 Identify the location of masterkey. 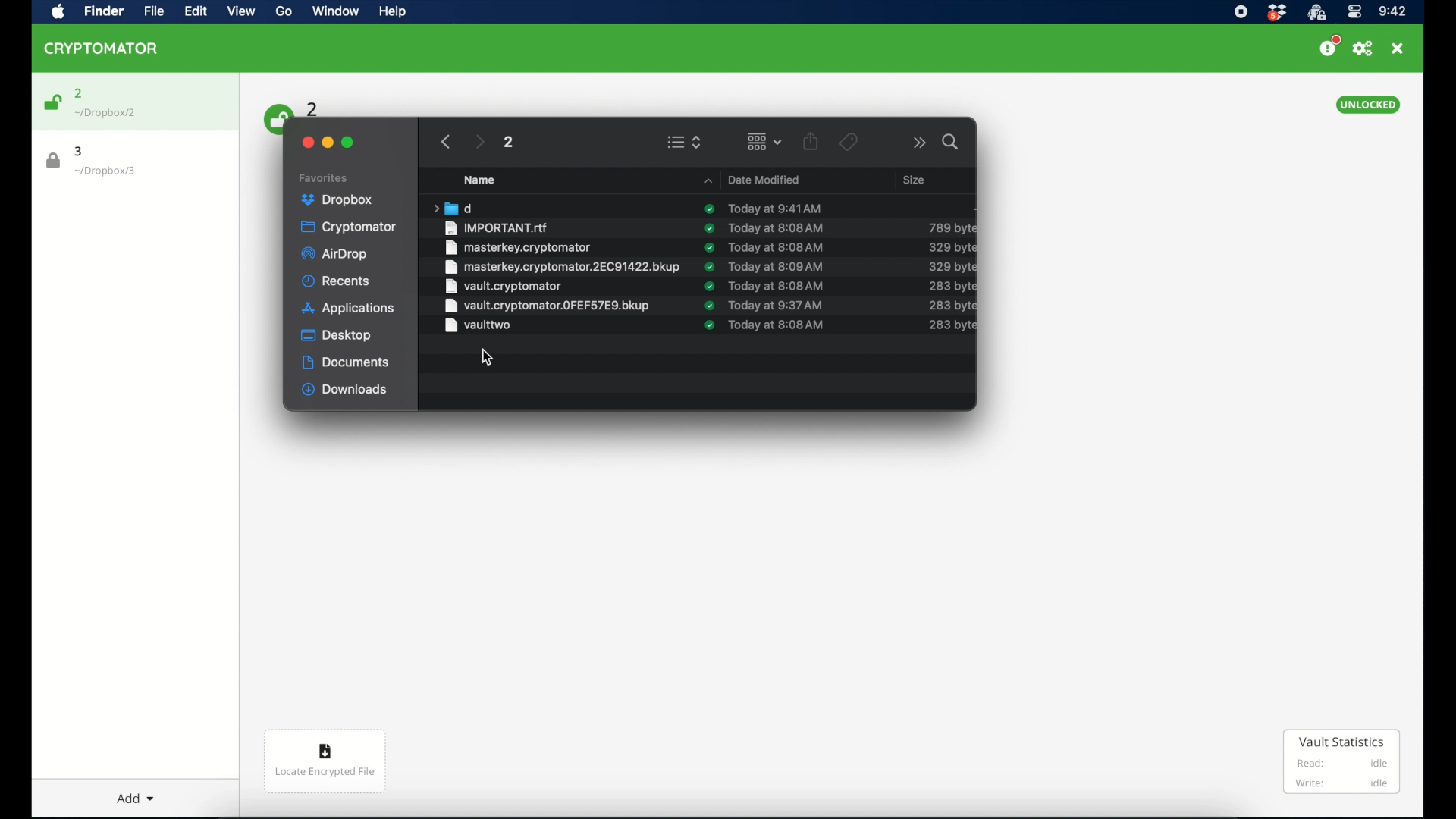
(560, 267).